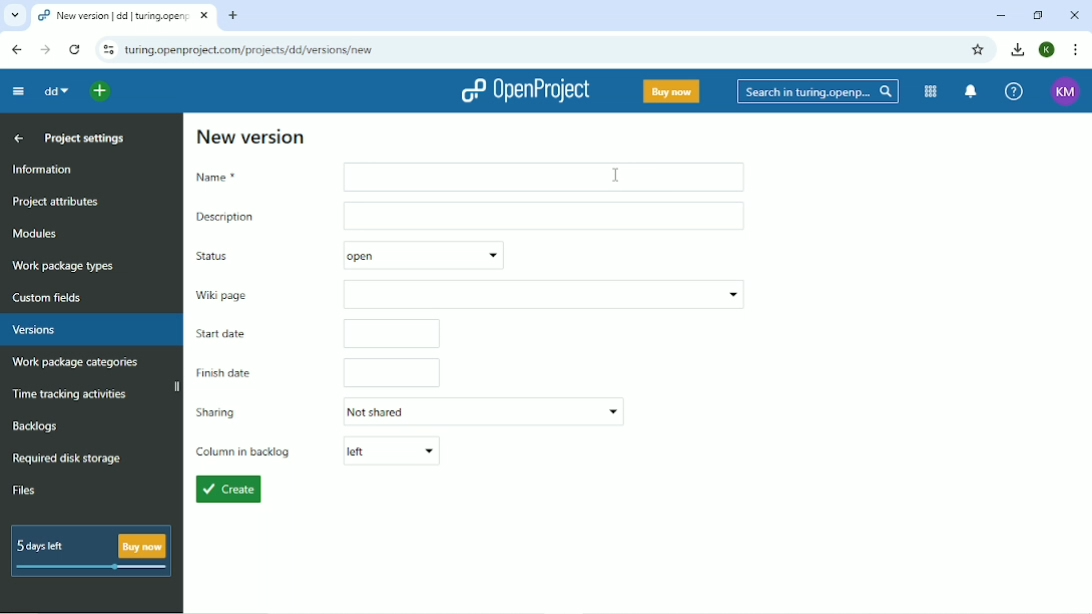  Describe the element at coordinates (1001, 16) in the screenshot. I see `Minimize` at that location.